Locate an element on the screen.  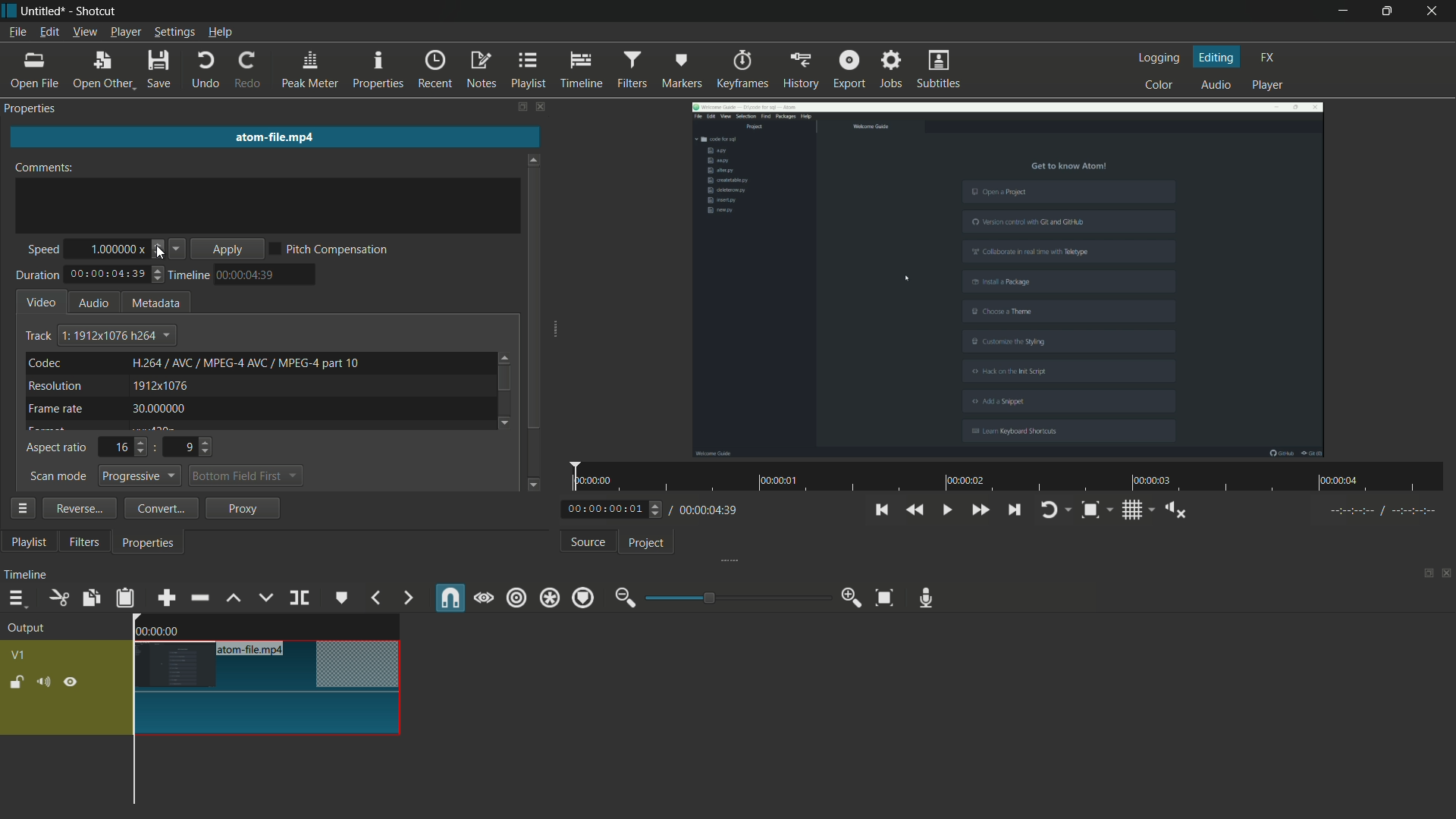
notes is located at coordinates (482, 71).